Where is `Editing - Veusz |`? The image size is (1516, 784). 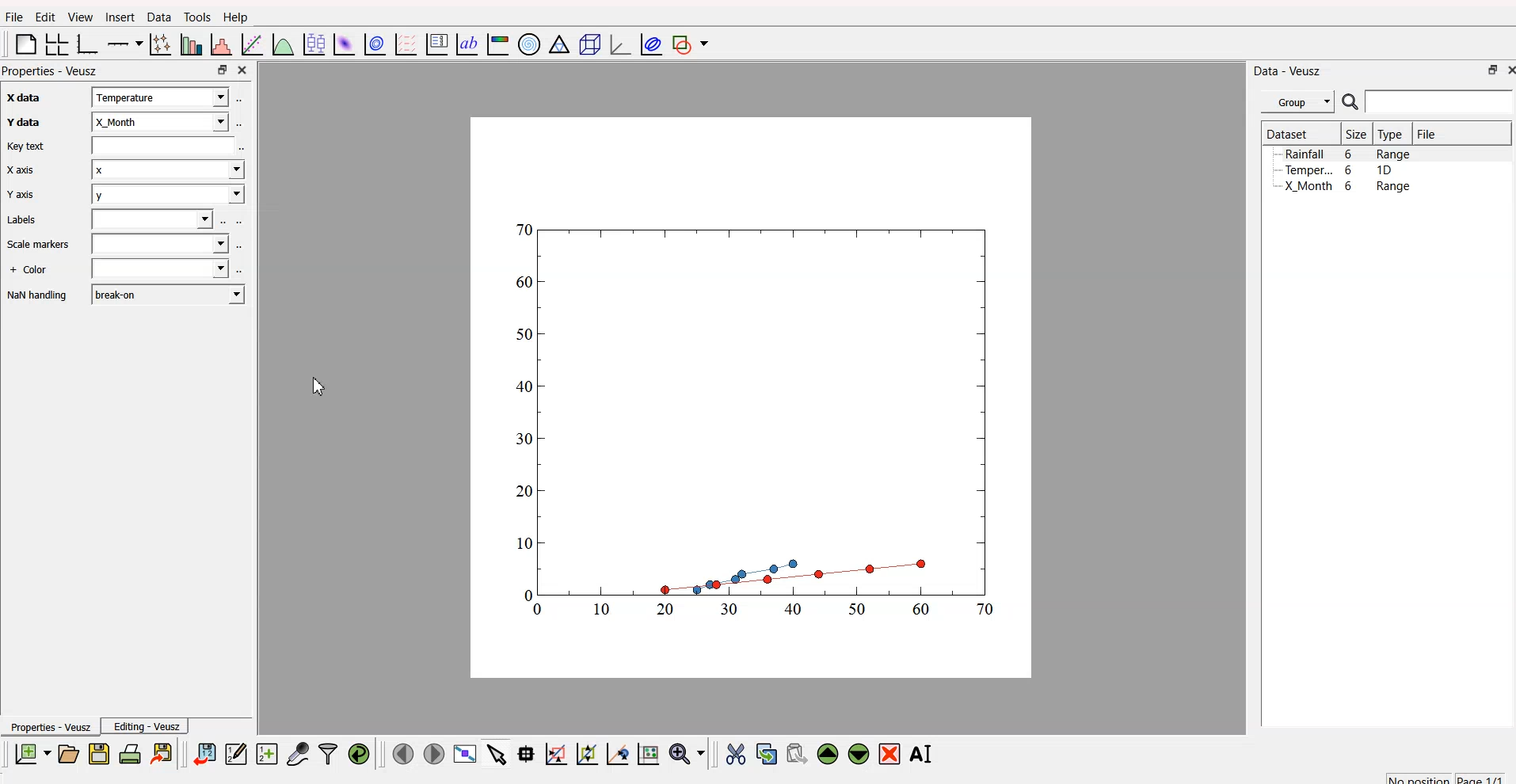 Editing - Veusz | is located at coordinates (148, 726).